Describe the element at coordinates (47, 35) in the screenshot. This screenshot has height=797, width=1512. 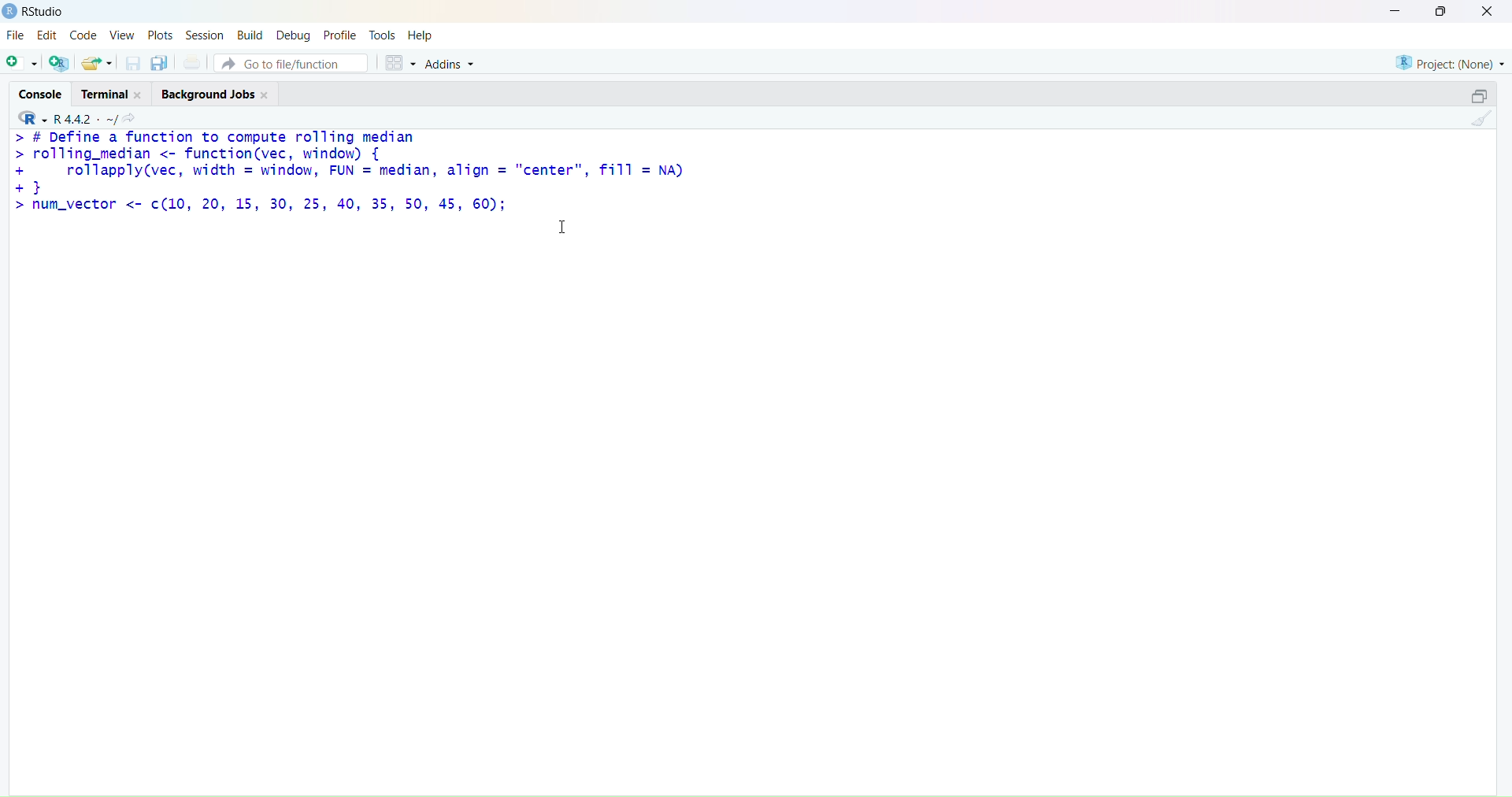
I see `edit` at that location.